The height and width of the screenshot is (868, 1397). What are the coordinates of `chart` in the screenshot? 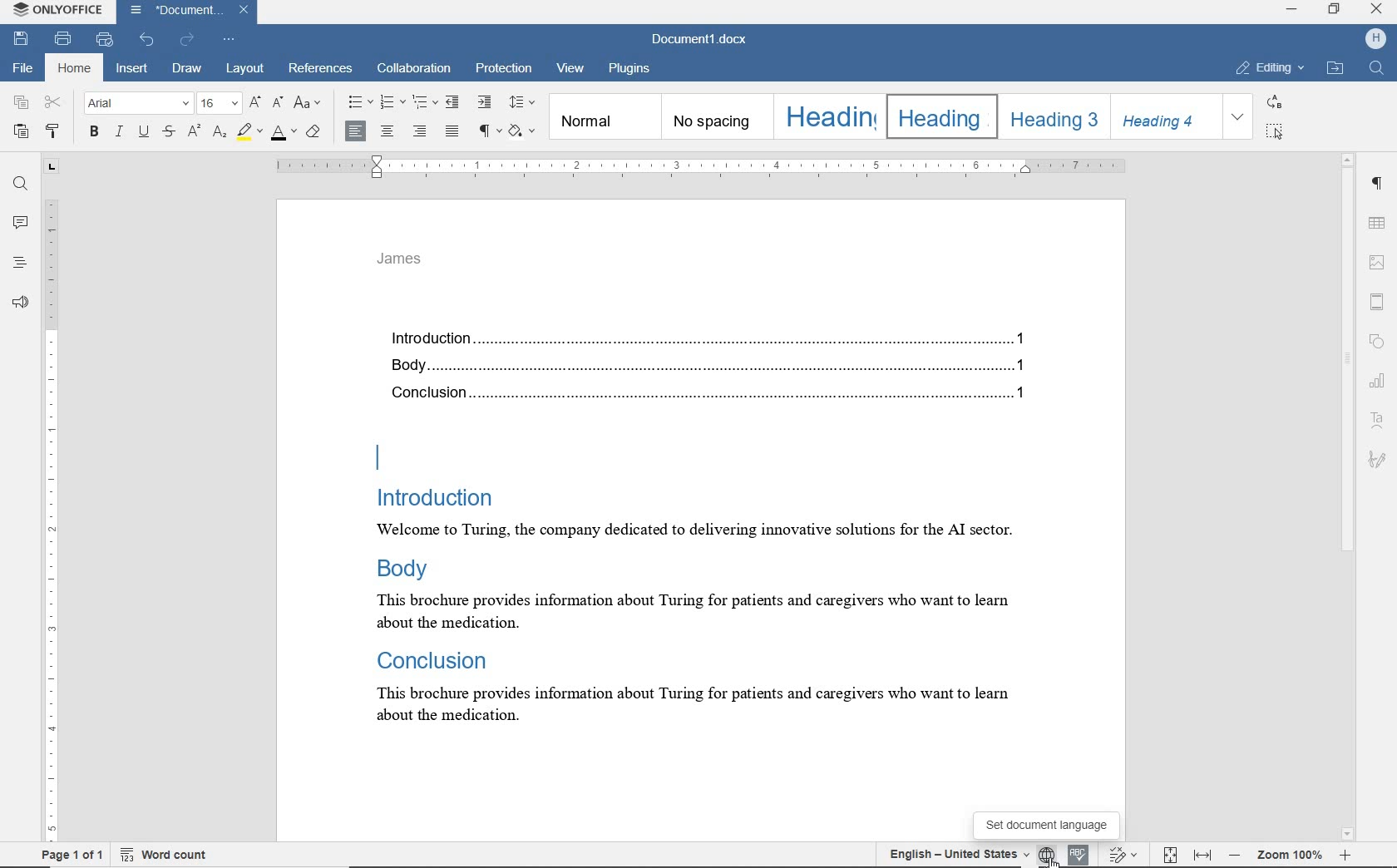 It's located at (1380, 381).